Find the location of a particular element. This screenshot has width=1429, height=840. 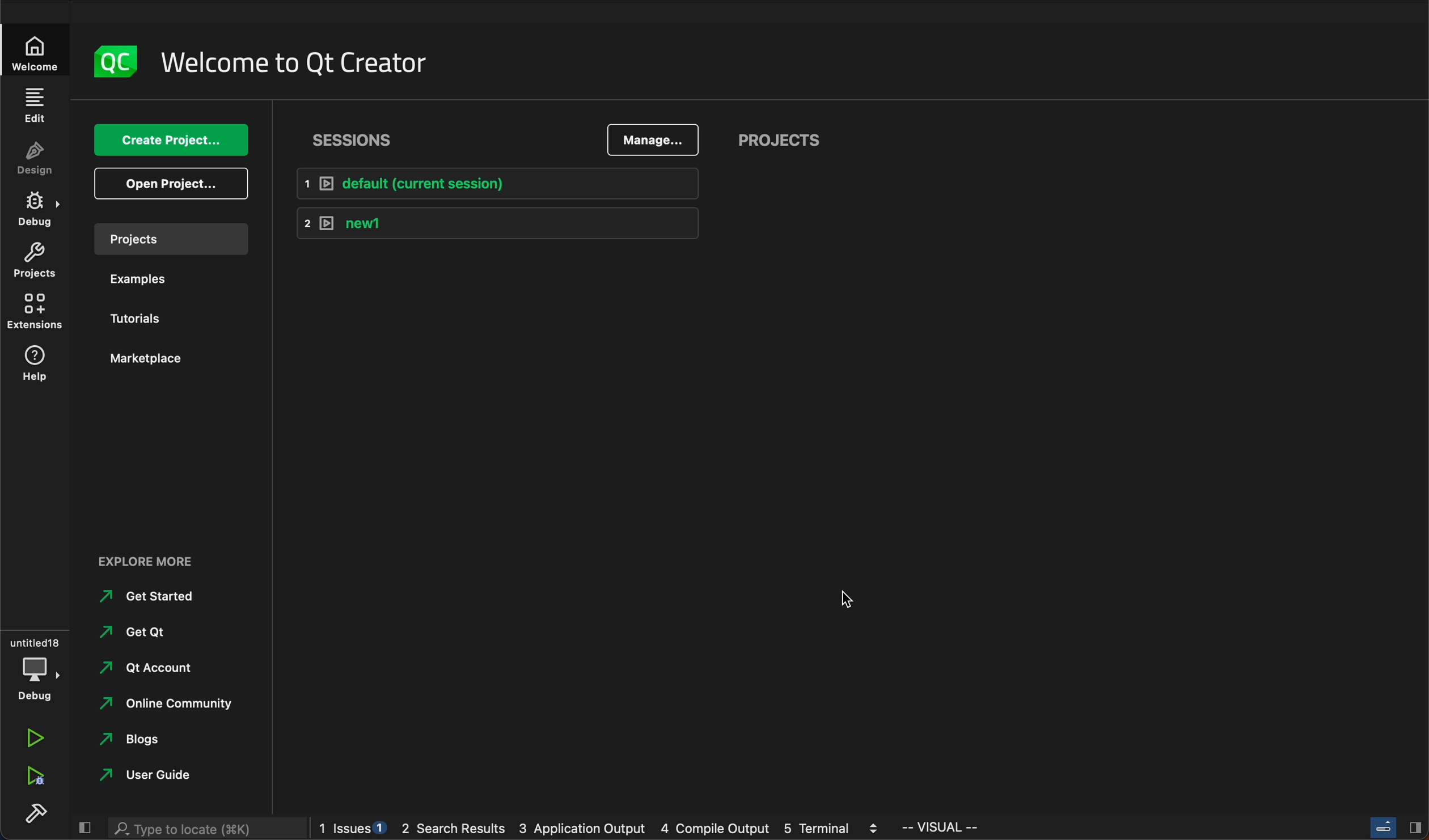

cursor is located at coordinates (846, 600).